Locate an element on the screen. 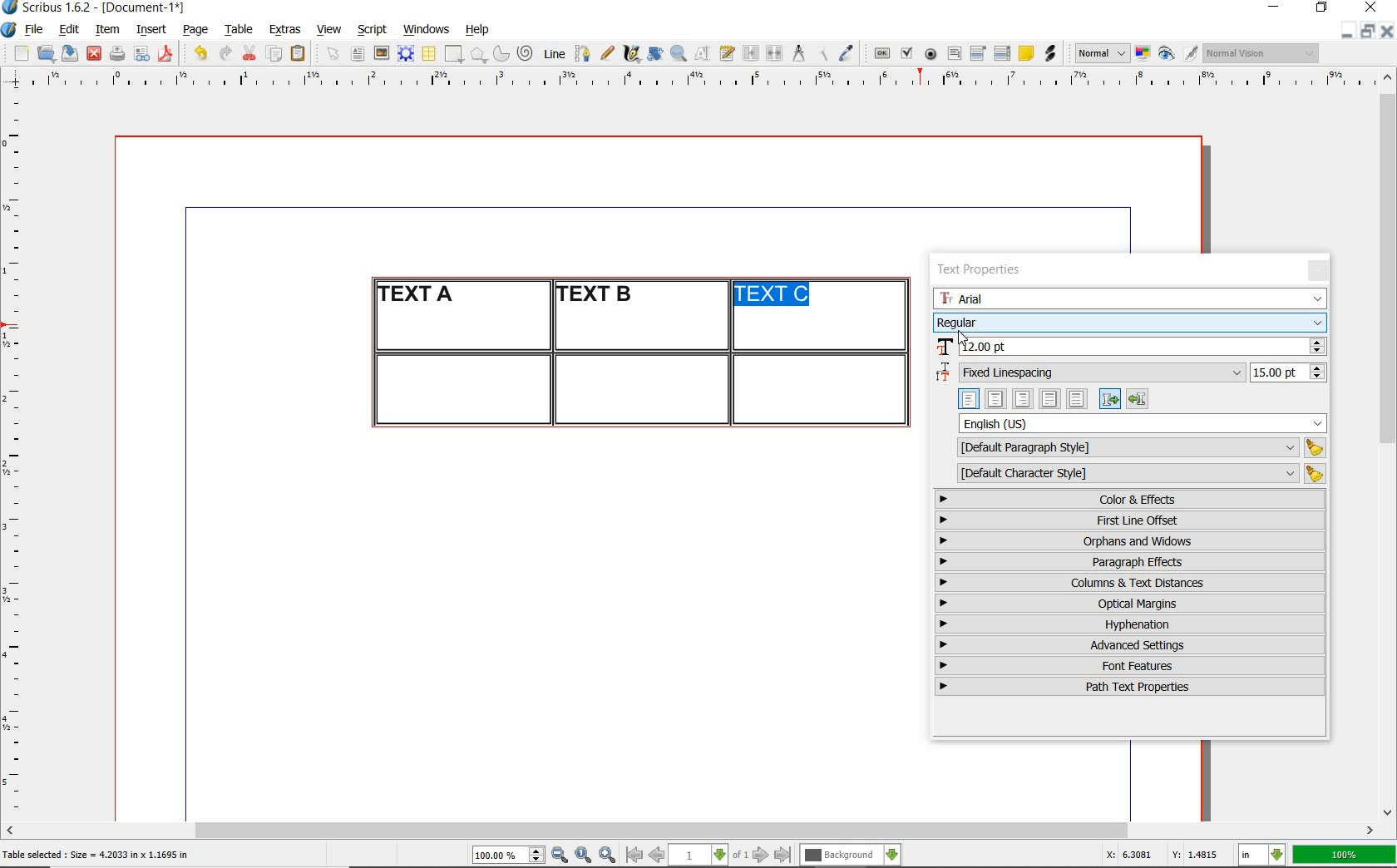 This screenshot has height=868, width=1397. paste is located at coordinates (301, 54).